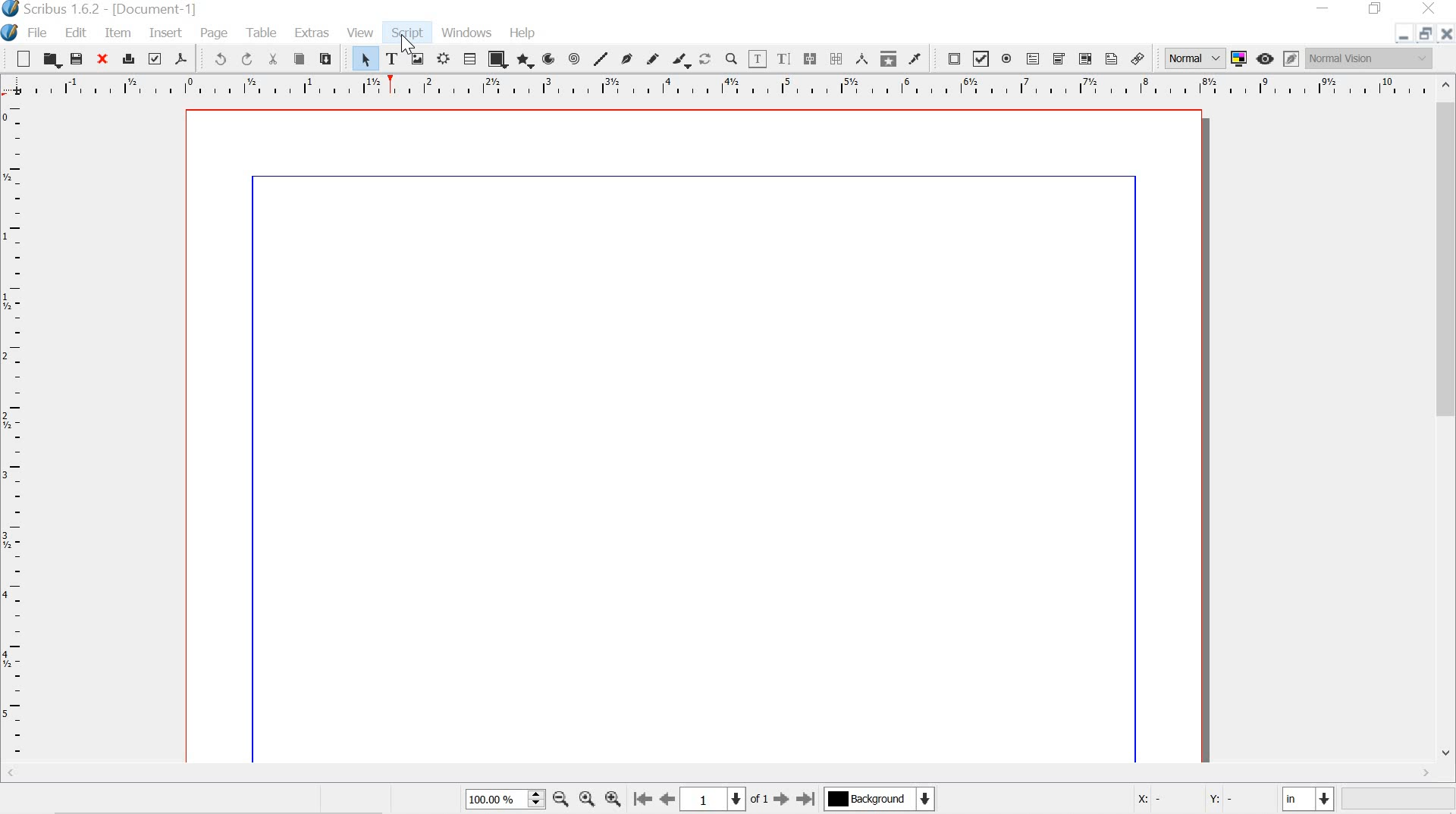 The height and width of the screenshot is (814, 1456). Describe the element at coordinates (445, 58) in the screenshot. I see `render frame` at that location.